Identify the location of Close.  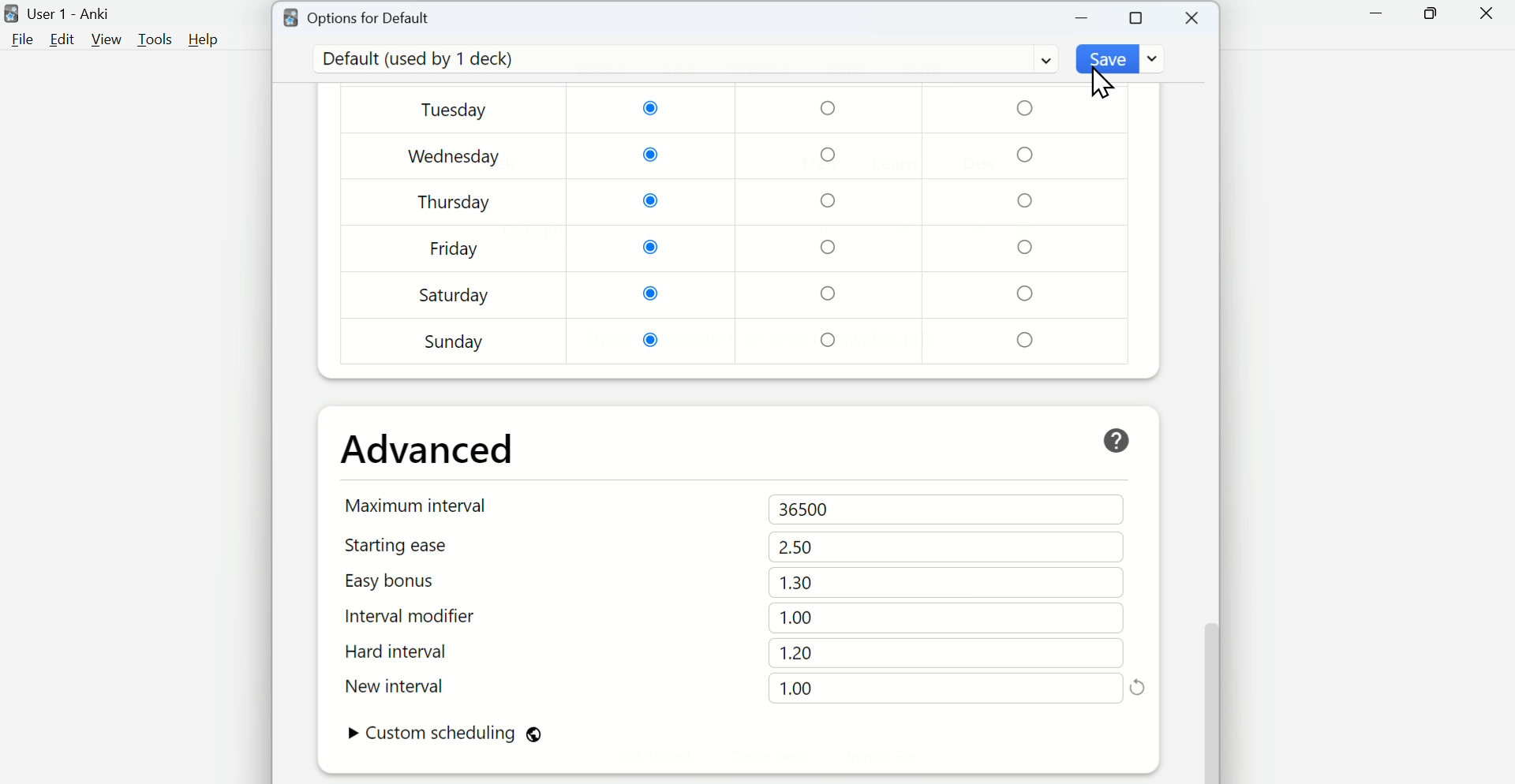
(1486, 14).